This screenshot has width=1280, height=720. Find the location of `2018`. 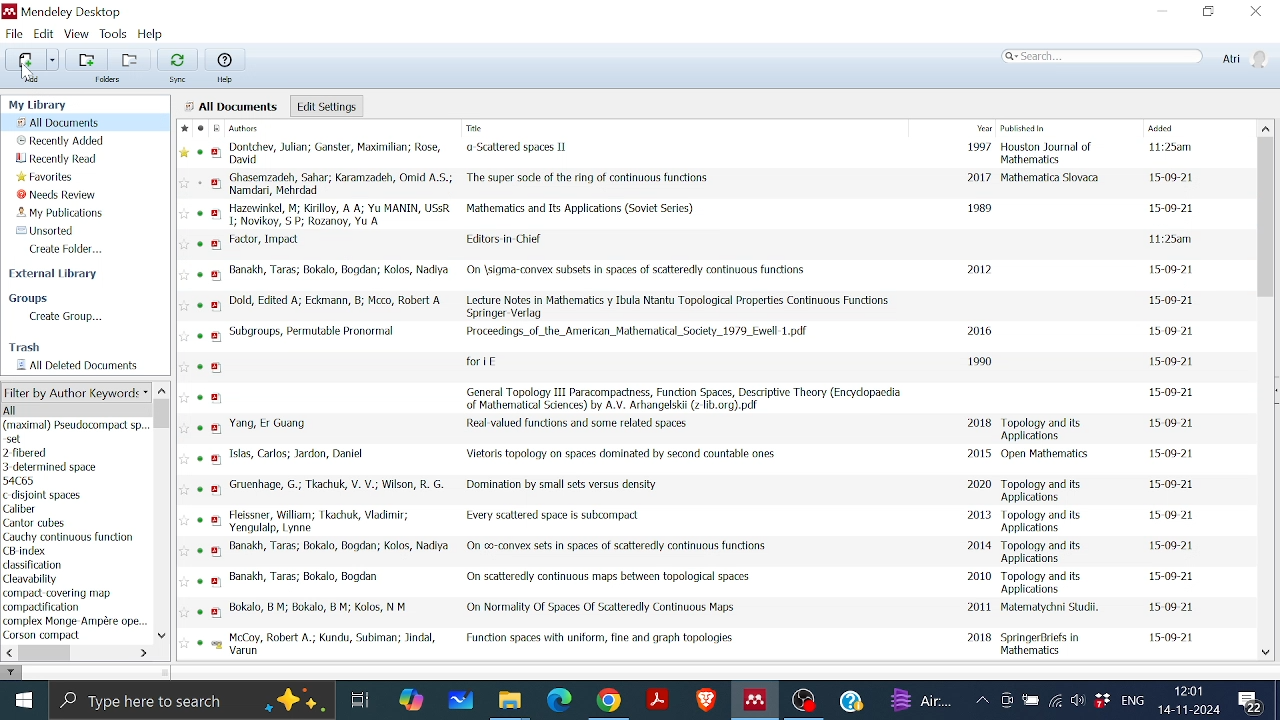

2018 is located at coordinates (975, 423).